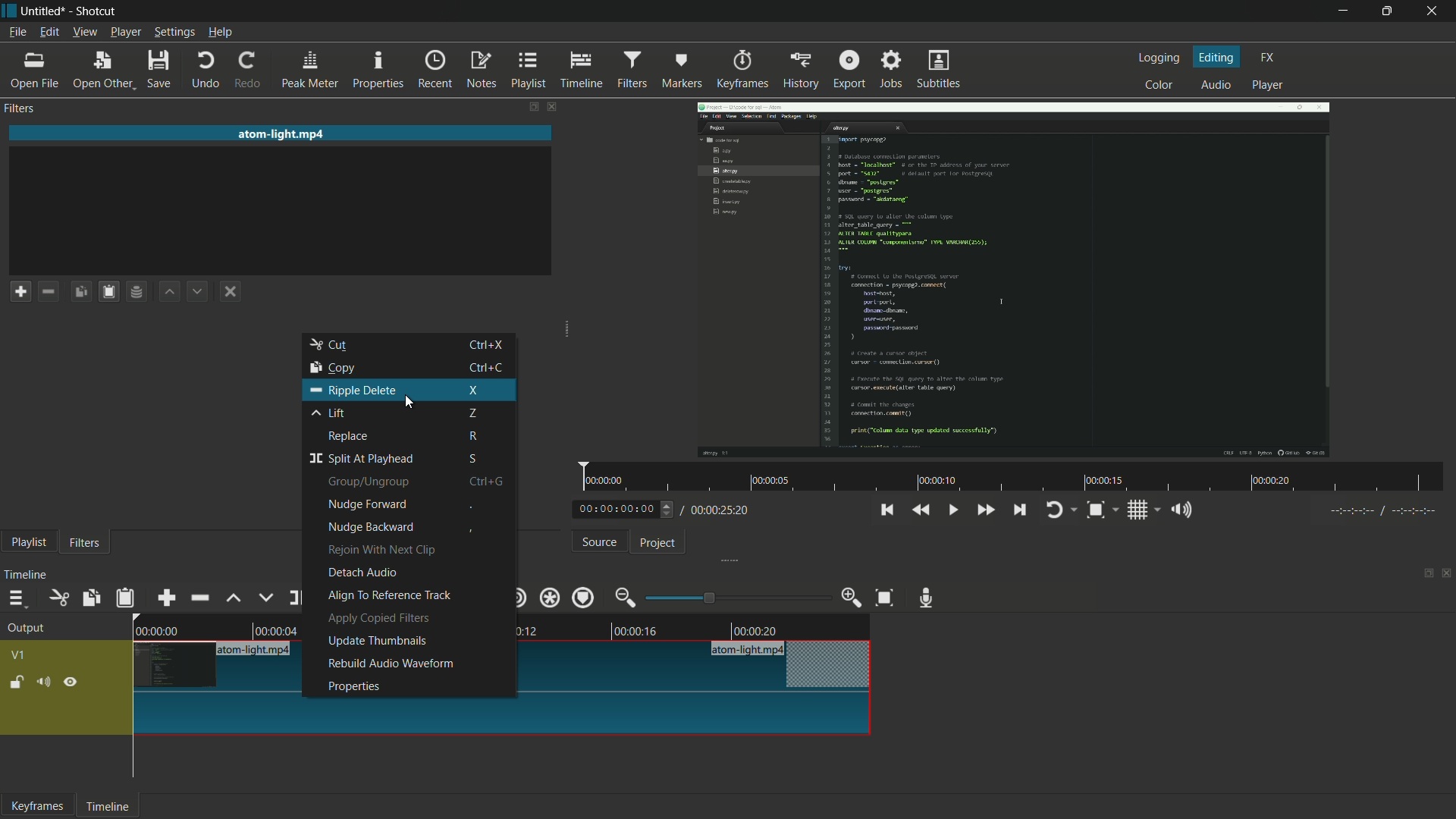 The width and height of the screenshot is (1456, 819). Describe the element at coordinates (37, 806) in the screenshot. I see `keyframes` at that location.